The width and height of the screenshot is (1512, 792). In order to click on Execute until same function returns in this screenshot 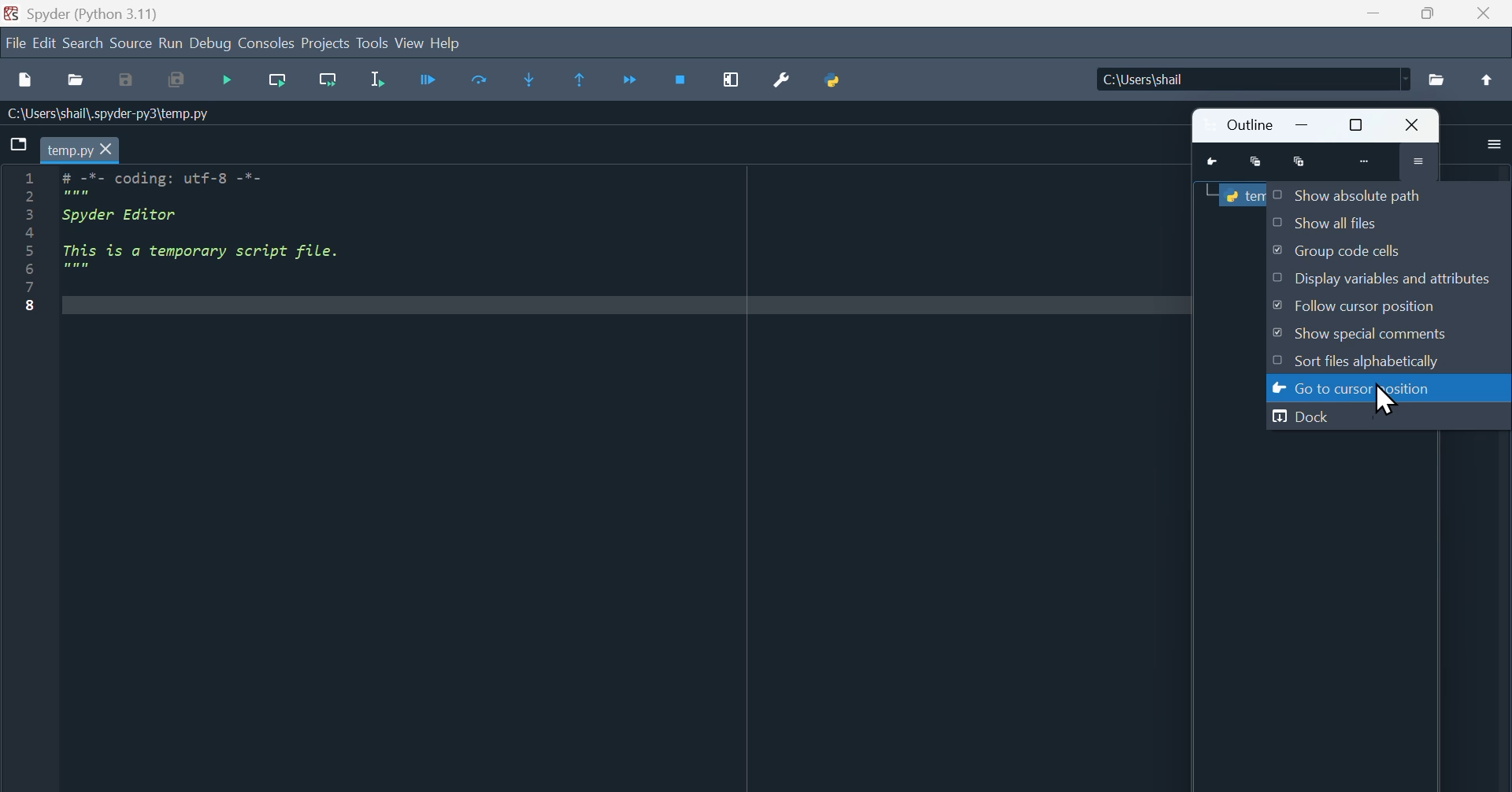, I will do `click(577, 79)`.